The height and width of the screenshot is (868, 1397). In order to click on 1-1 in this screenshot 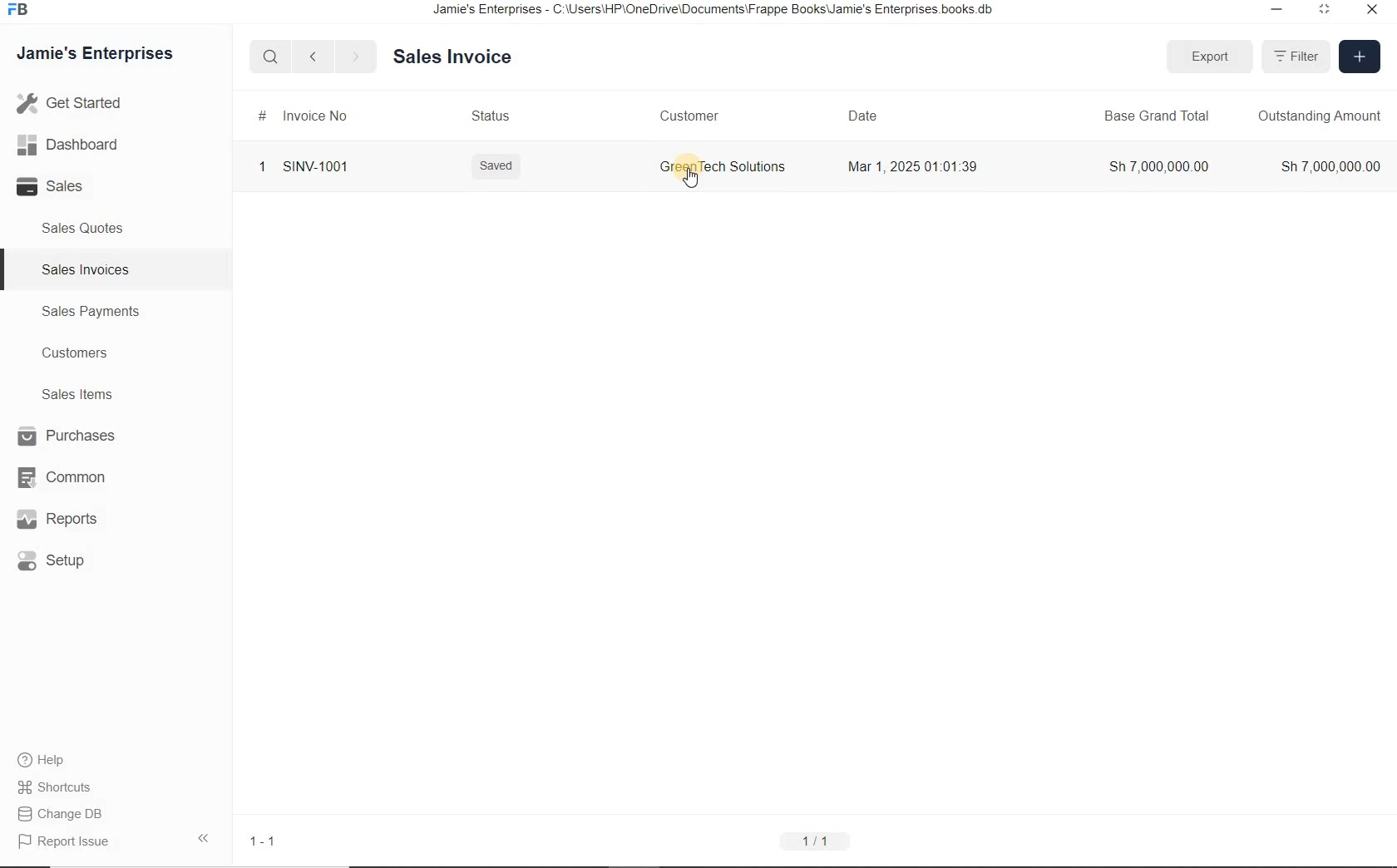, I will do `click(260, 841)`.